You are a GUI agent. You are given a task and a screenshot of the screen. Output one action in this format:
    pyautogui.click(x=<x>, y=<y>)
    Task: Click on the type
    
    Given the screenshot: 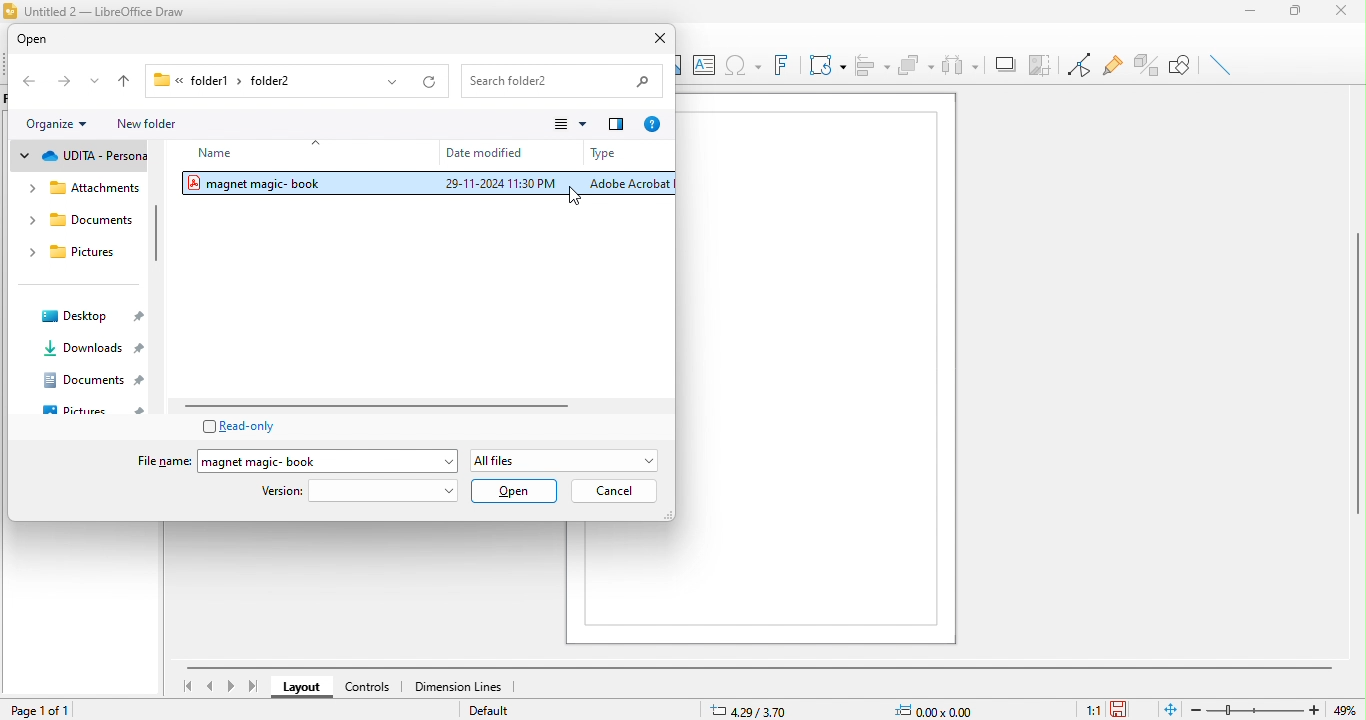 What is the action you would take?
    pyautogui.click(x=623, y=155)
    